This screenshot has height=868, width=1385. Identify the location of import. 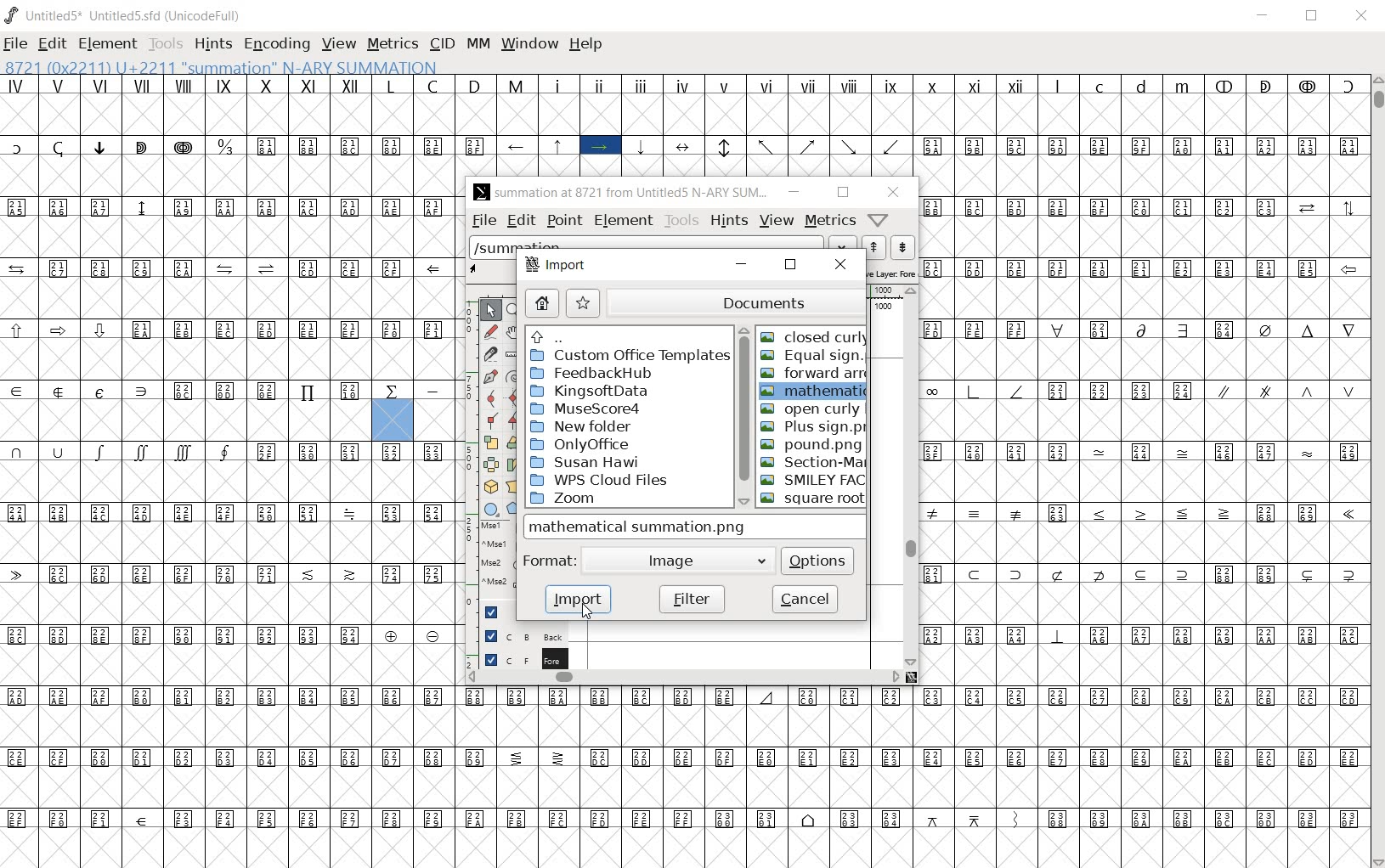
(578, 599).